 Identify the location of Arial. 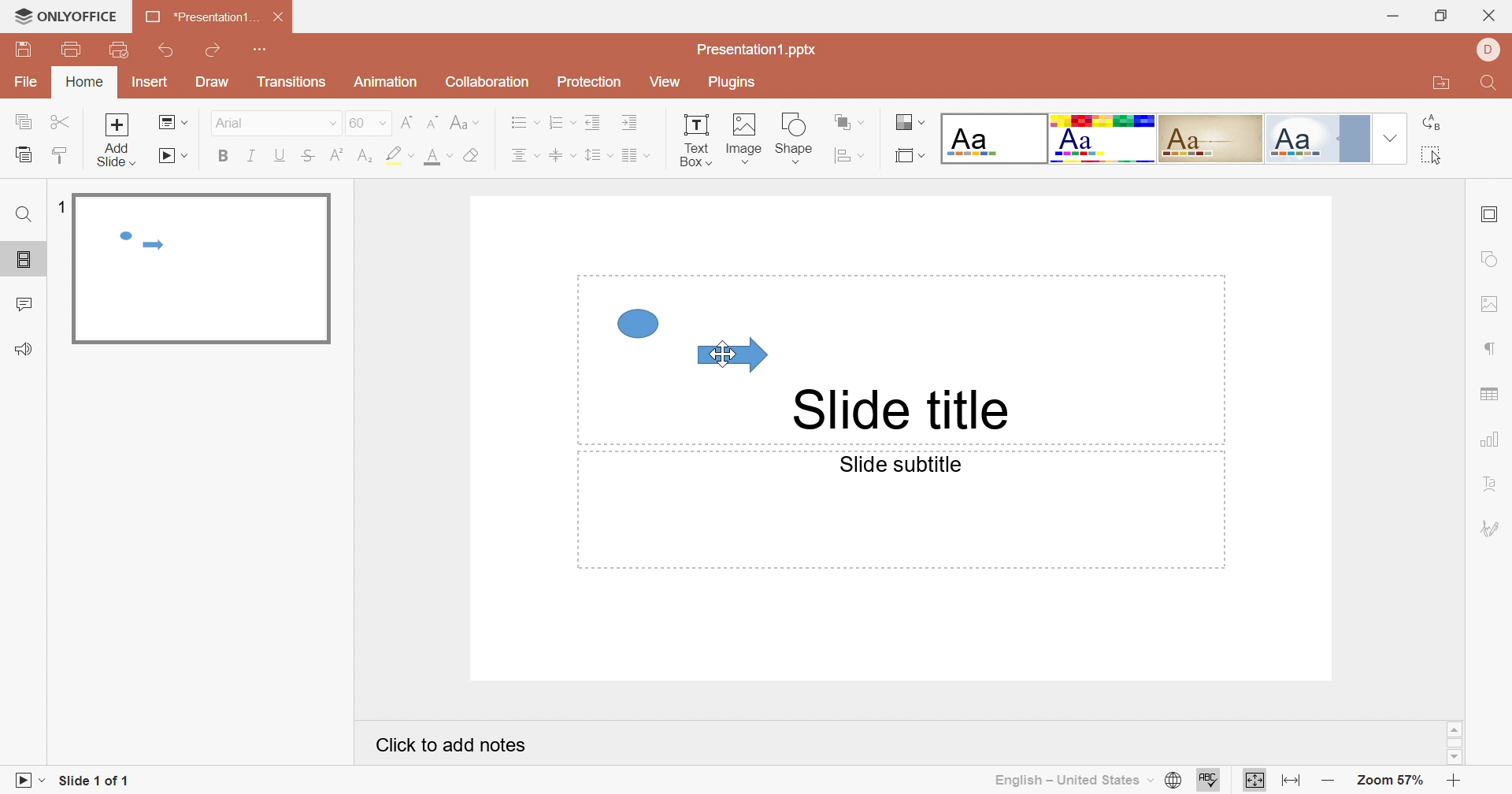
(276, 123).